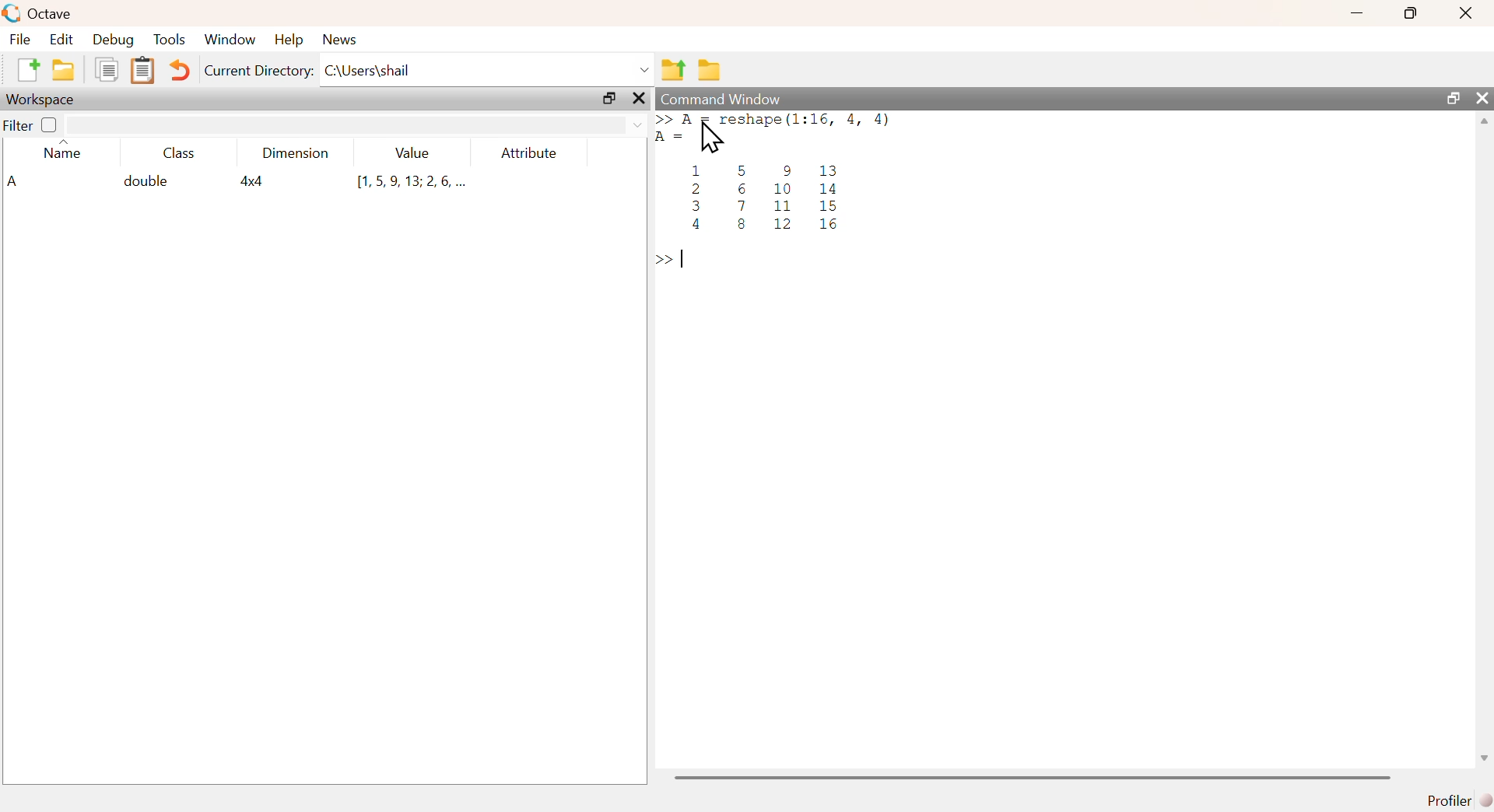  Describe the element at coordinates (1485, 446) in the screenshot. I see `scrollbar` at that location.